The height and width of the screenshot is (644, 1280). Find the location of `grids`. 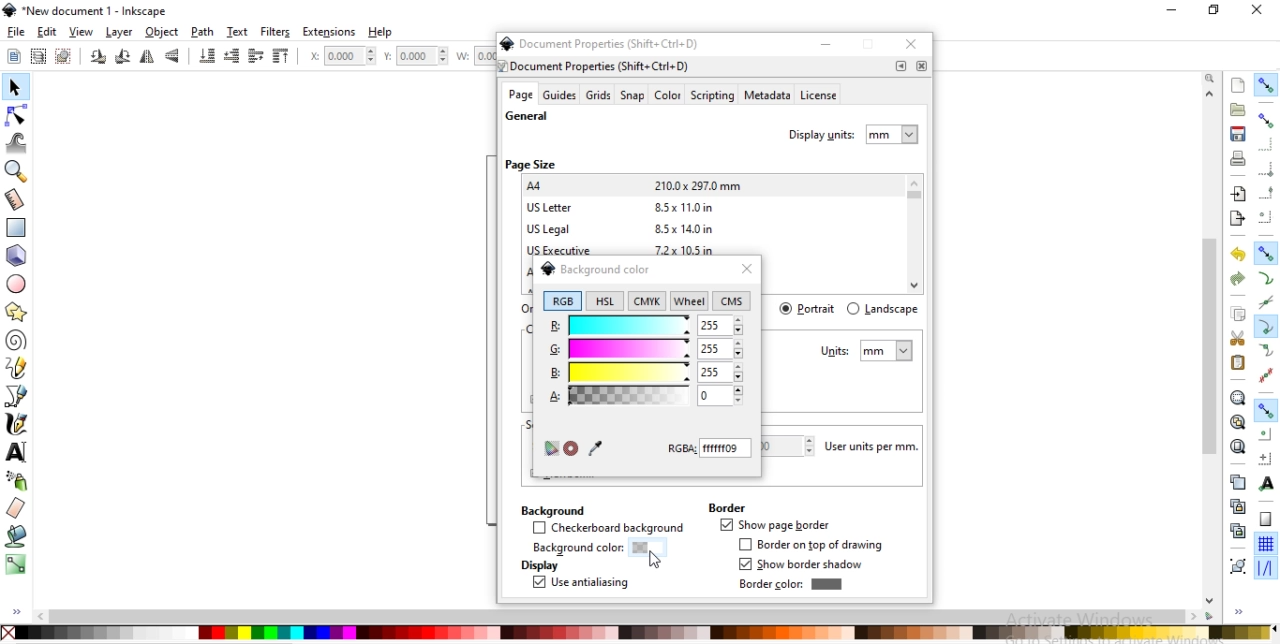

grids is located at coordinates (598, 95).